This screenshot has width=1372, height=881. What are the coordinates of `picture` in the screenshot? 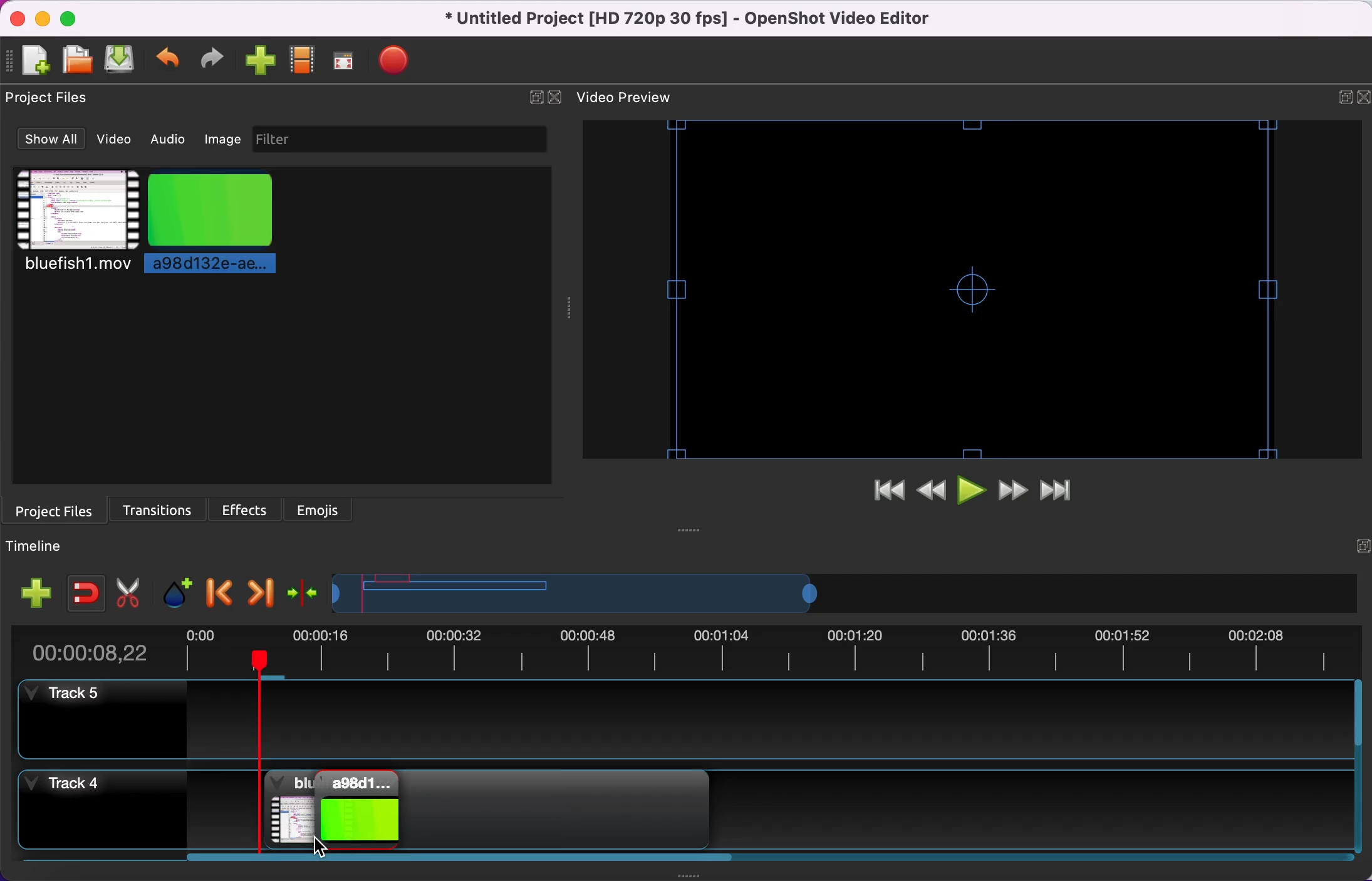 It's located at (226, 225).